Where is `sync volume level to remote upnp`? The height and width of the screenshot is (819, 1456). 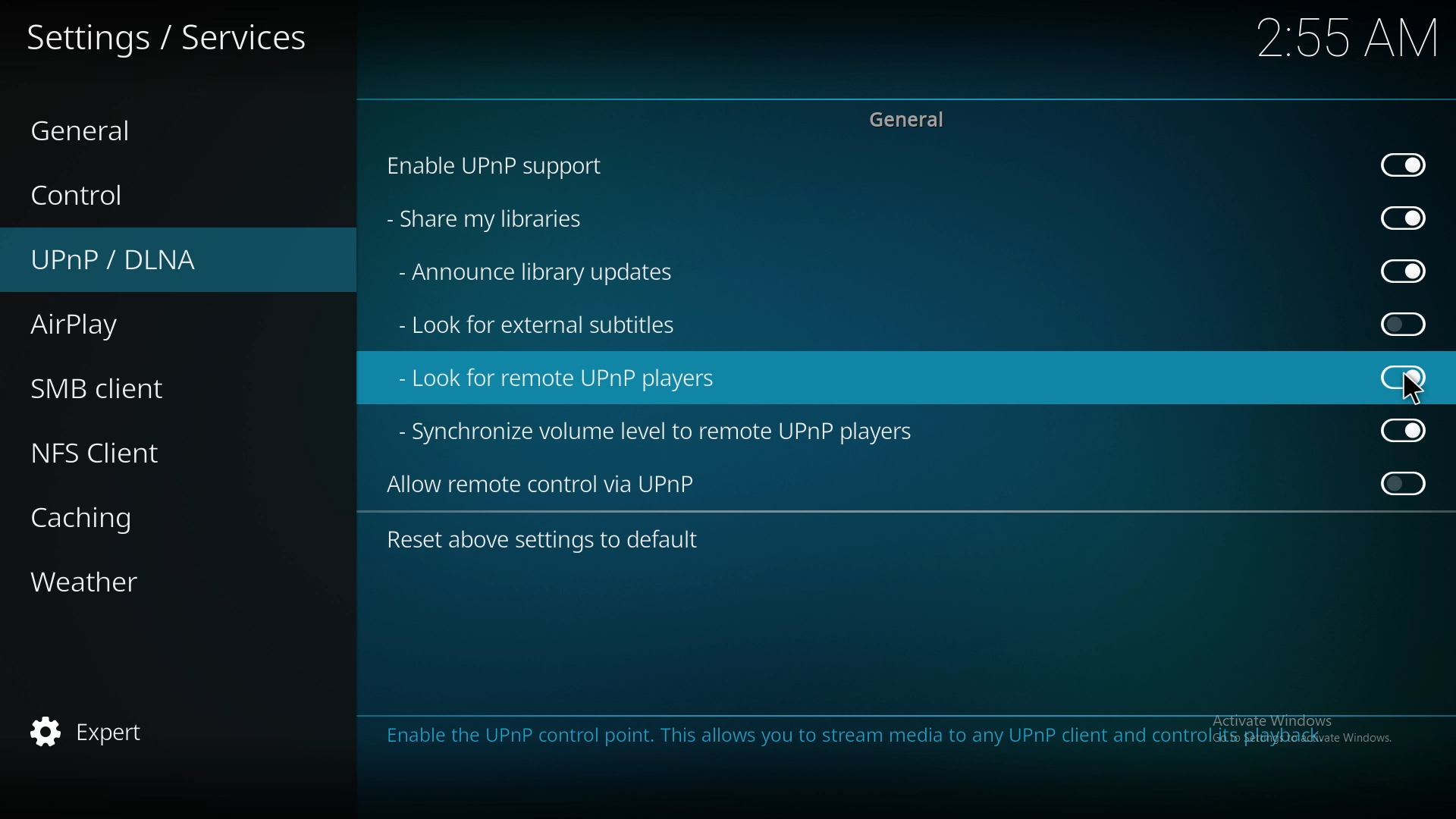 sync volume level to remote upnp is located at coordinates (674, 430).